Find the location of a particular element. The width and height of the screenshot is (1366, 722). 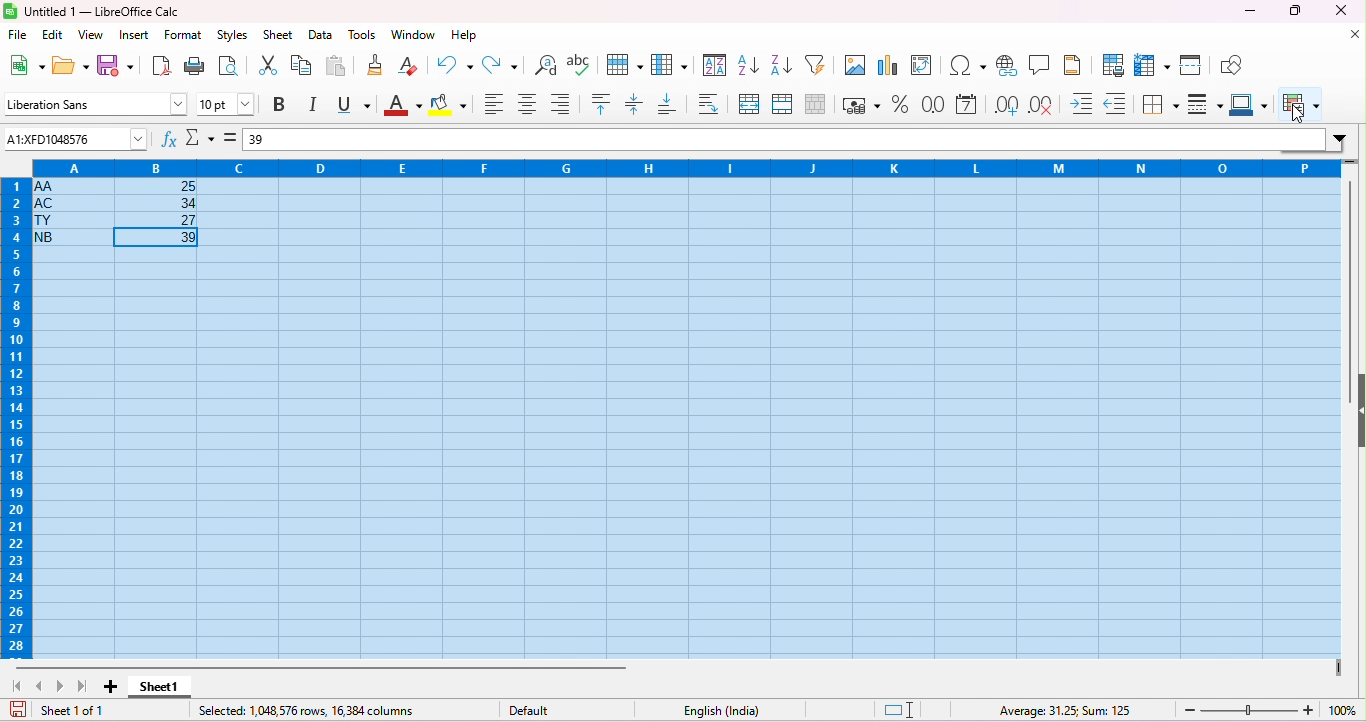

insert chart is located at coordinates (890, 64).